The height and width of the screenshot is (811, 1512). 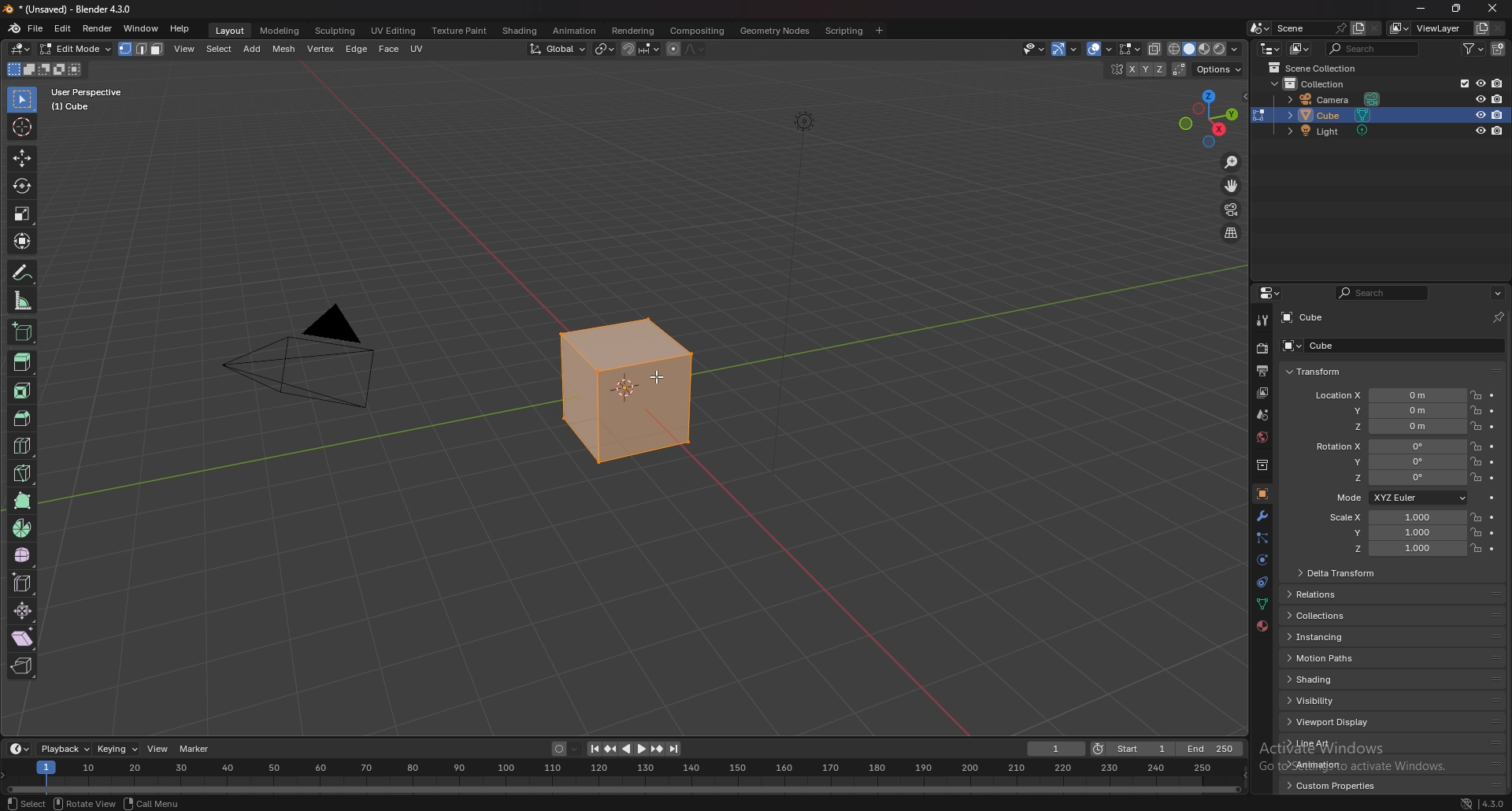 I want to click on location x, so click(x=1388, y=396).